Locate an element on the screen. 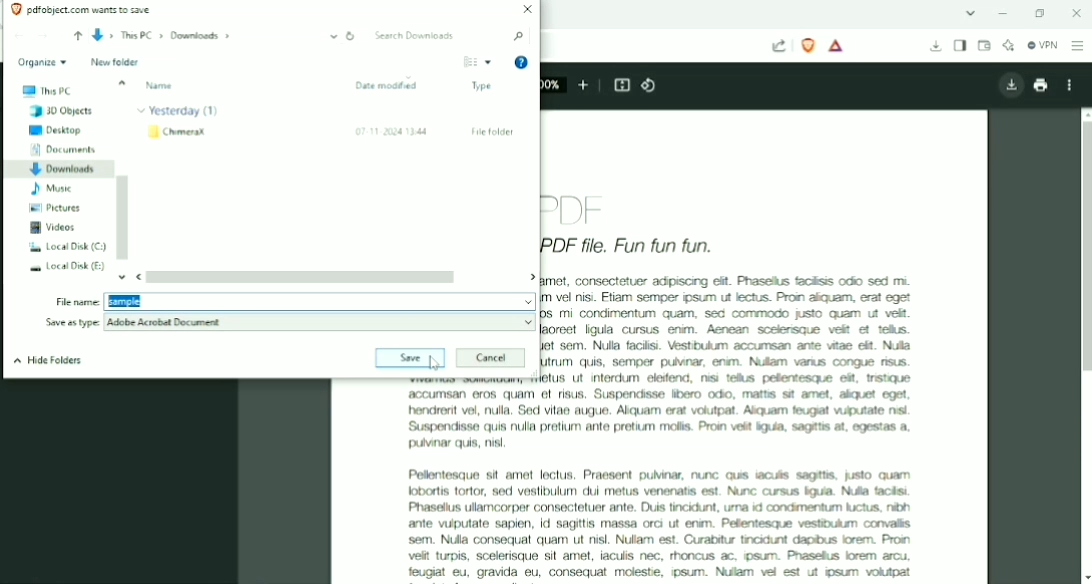 This screenshot has height=584, width=1092. ChimeraX is located at coordinates (179, 132).